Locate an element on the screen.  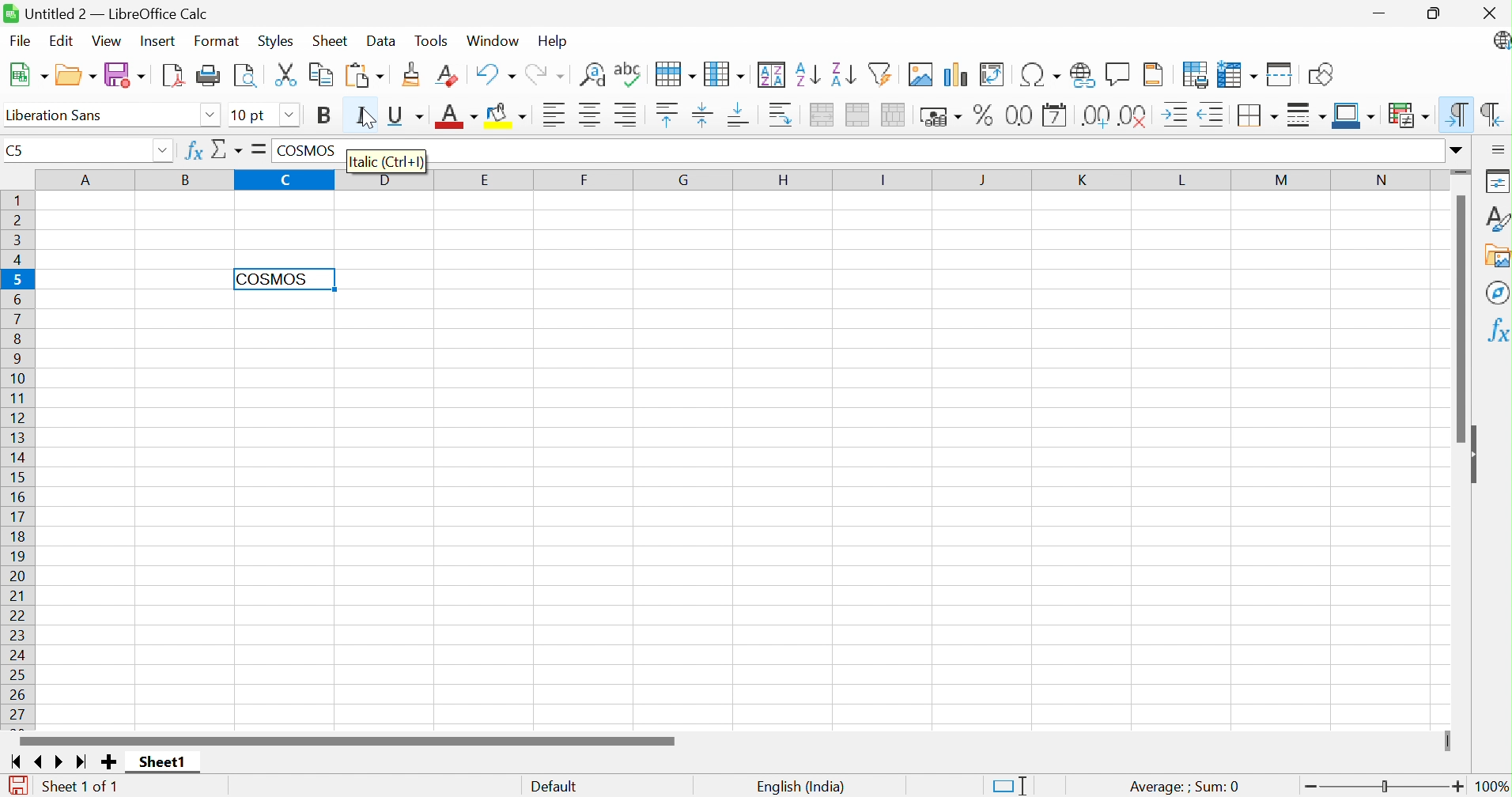
Add new slide is located at coordinates (111, 764).